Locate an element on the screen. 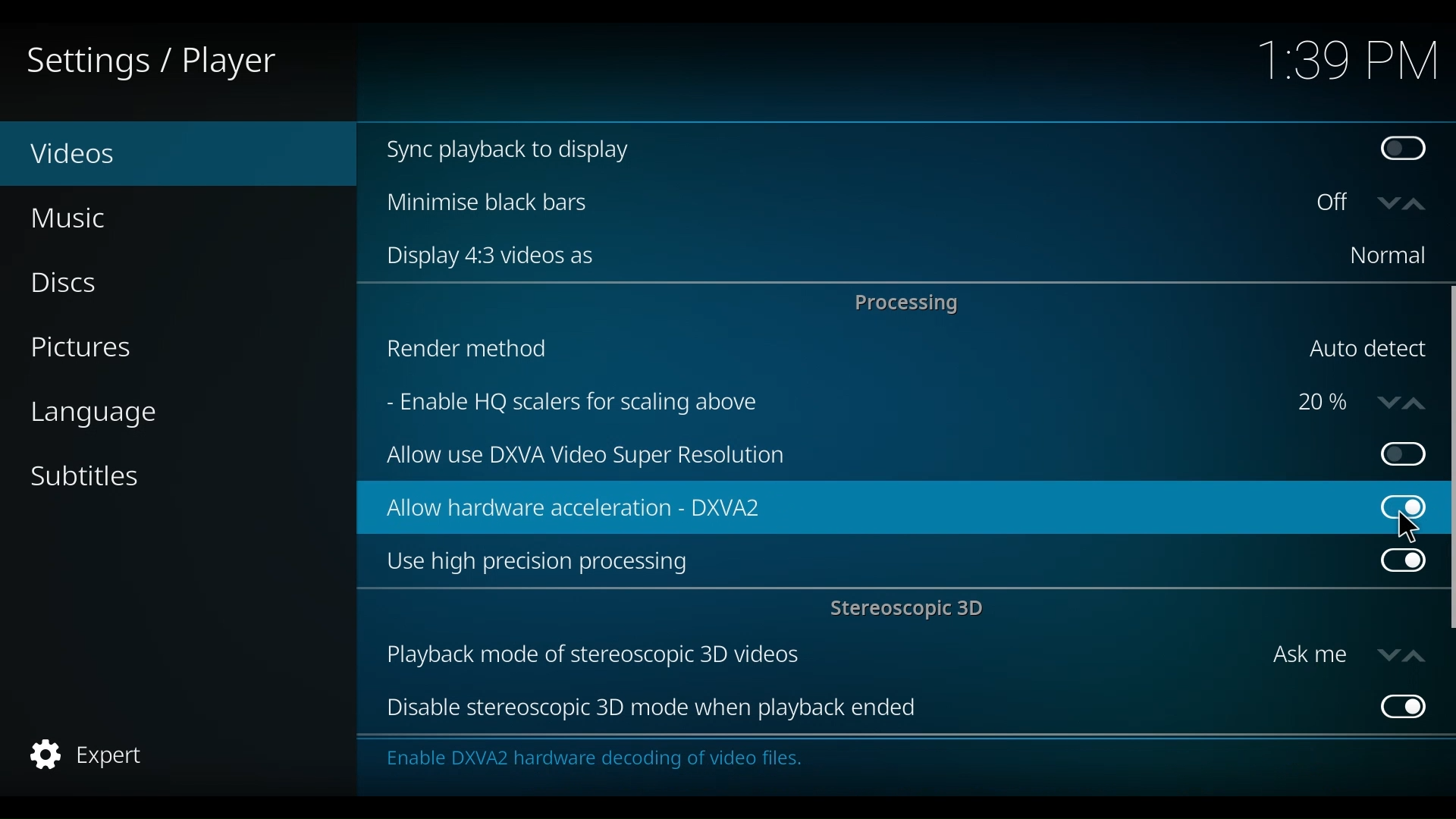 This screenshot has width=1456, height=819. Playback mode of stereoscopic 3D videos is located at coordinates (817, 656).